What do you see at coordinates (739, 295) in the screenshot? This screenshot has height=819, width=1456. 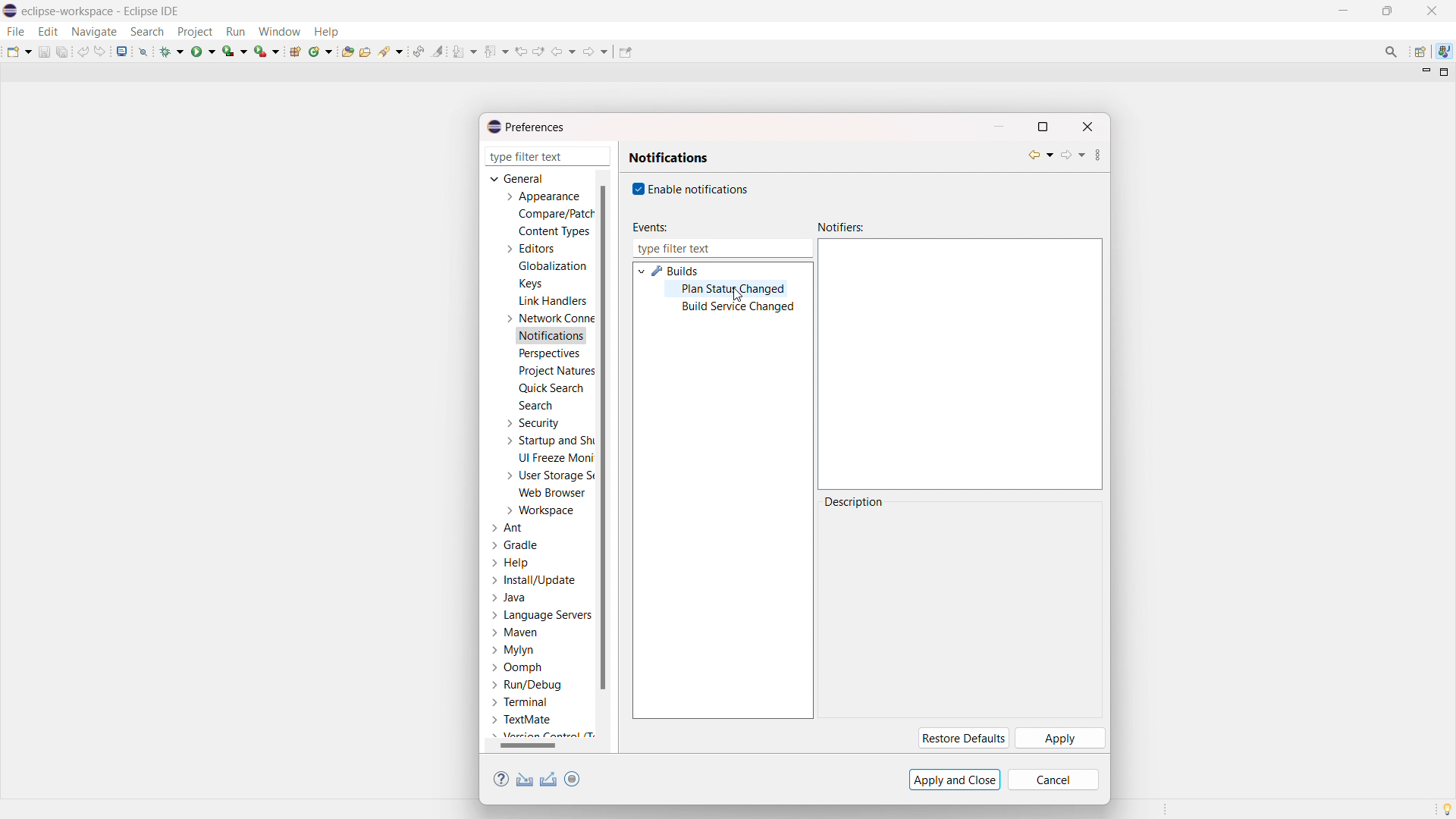 I see `cursor` at bounding box center [739, 295].